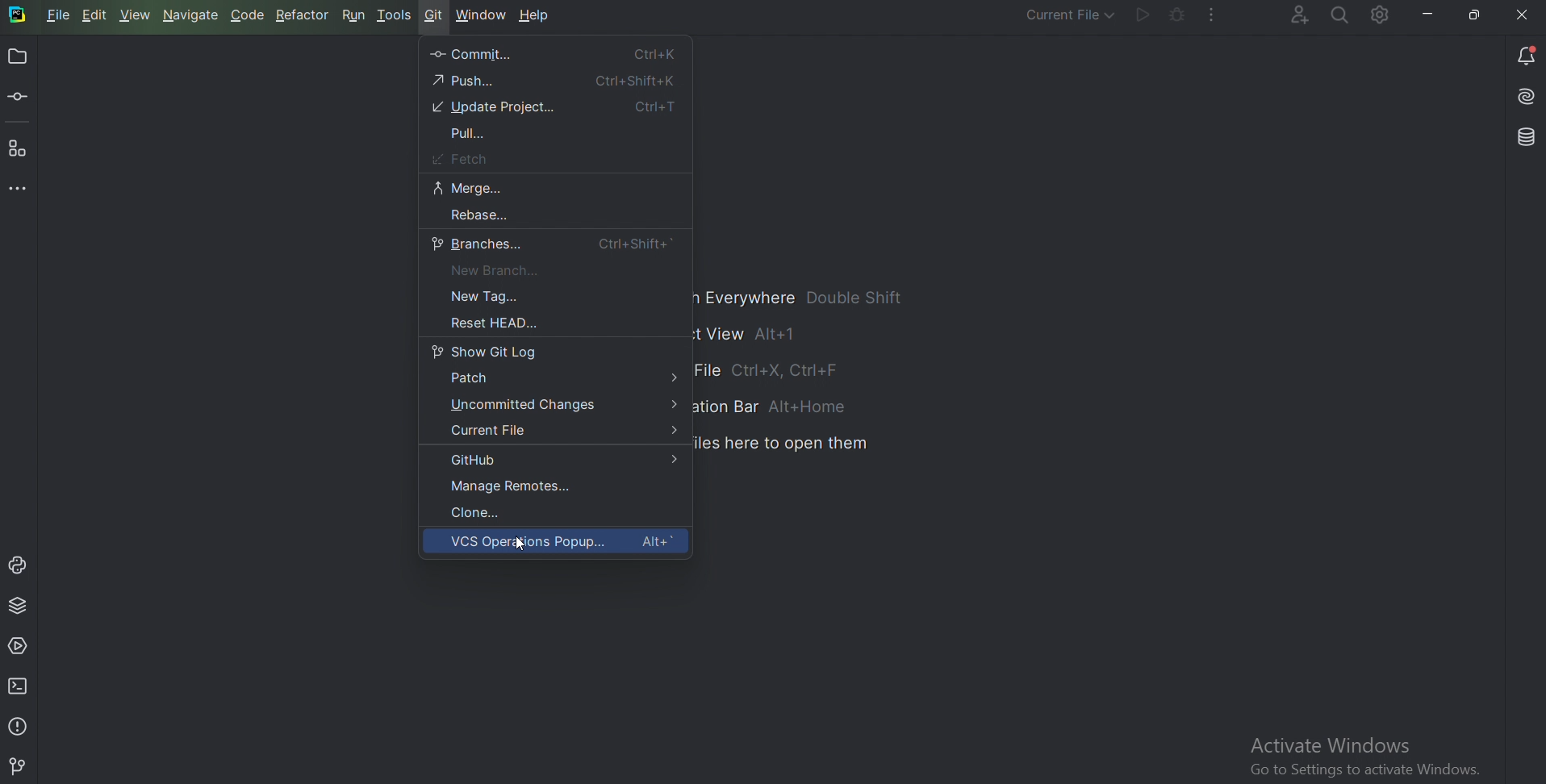 This screenshot has width=1546, height=784. I want to click on Pull, so click(470, 133).